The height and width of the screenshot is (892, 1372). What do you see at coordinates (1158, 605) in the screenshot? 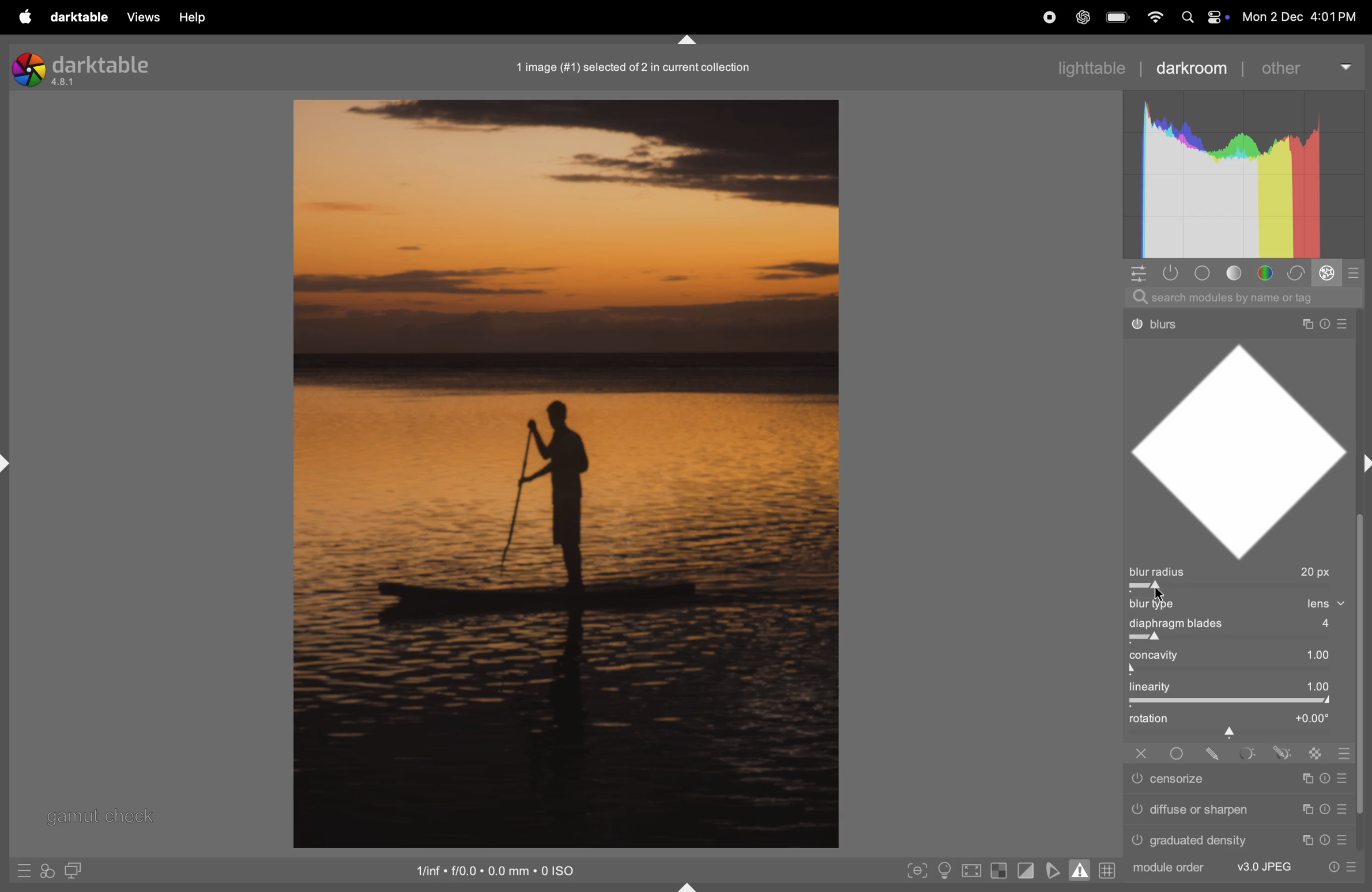
I see `blur` at bounding box center [1158, 605].